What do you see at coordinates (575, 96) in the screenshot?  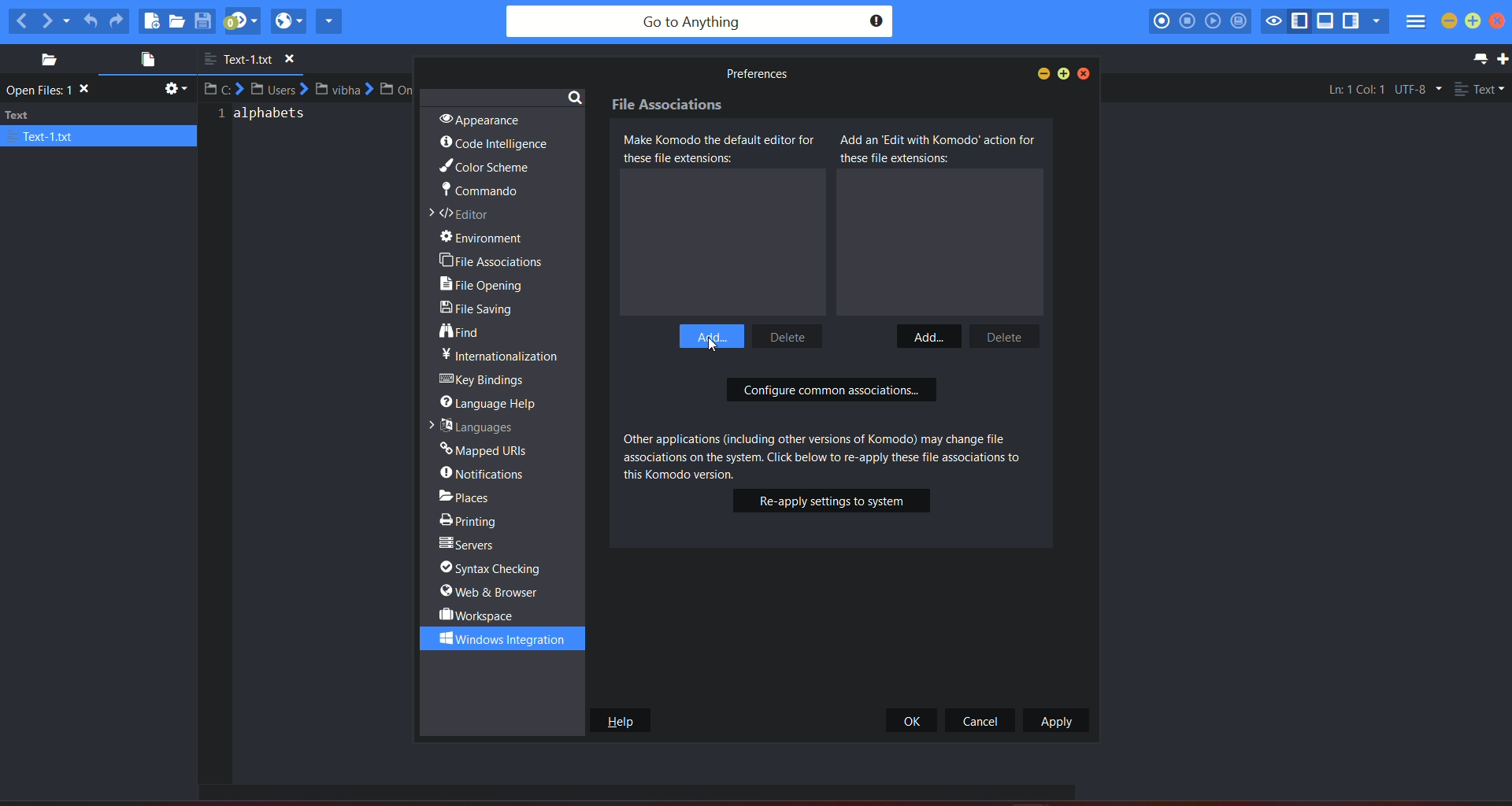 I see `search` at bounding box center [575, 96].